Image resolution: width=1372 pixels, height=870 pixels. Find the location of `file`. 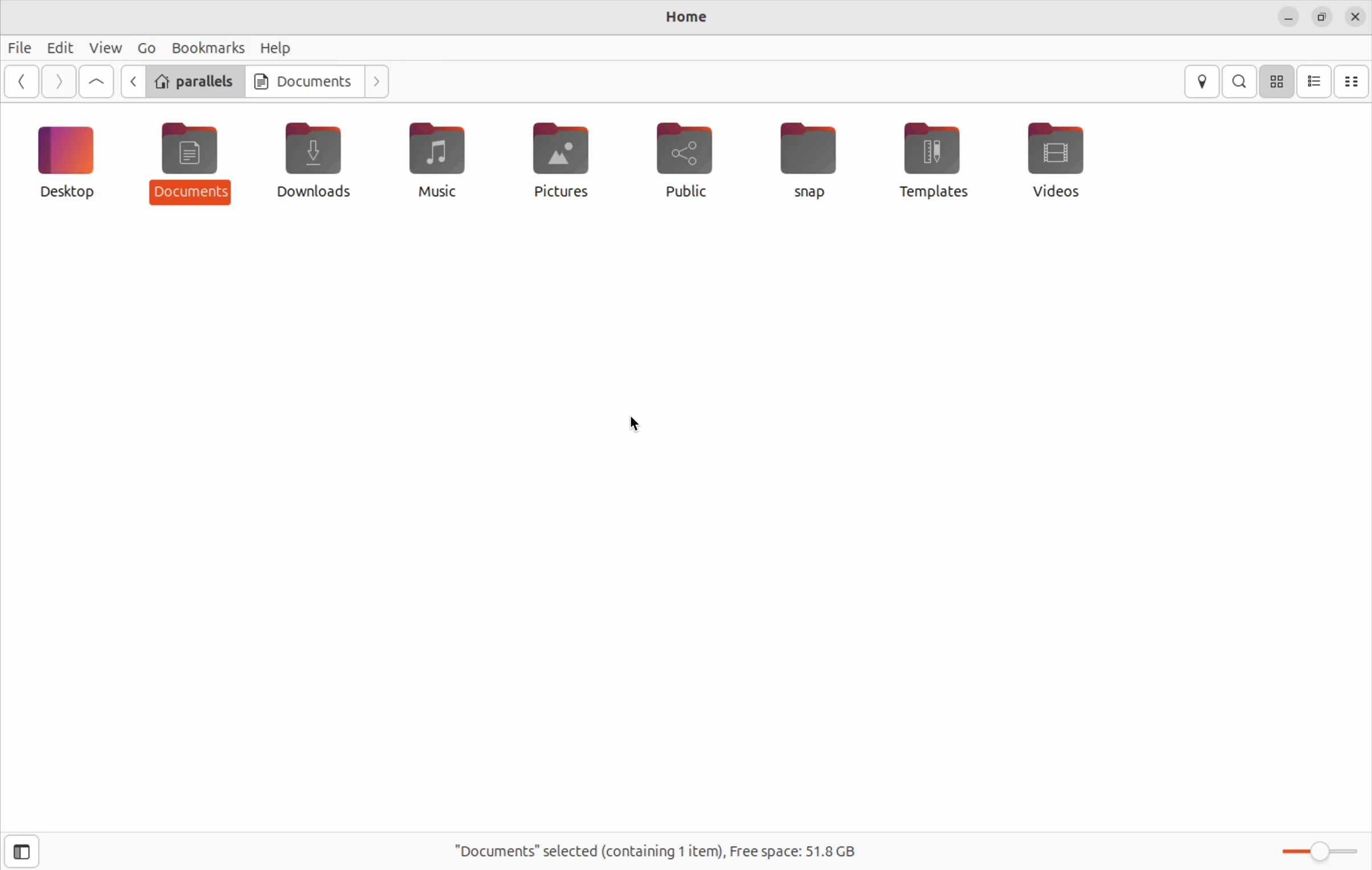

file is located at coordinates (19, 48).